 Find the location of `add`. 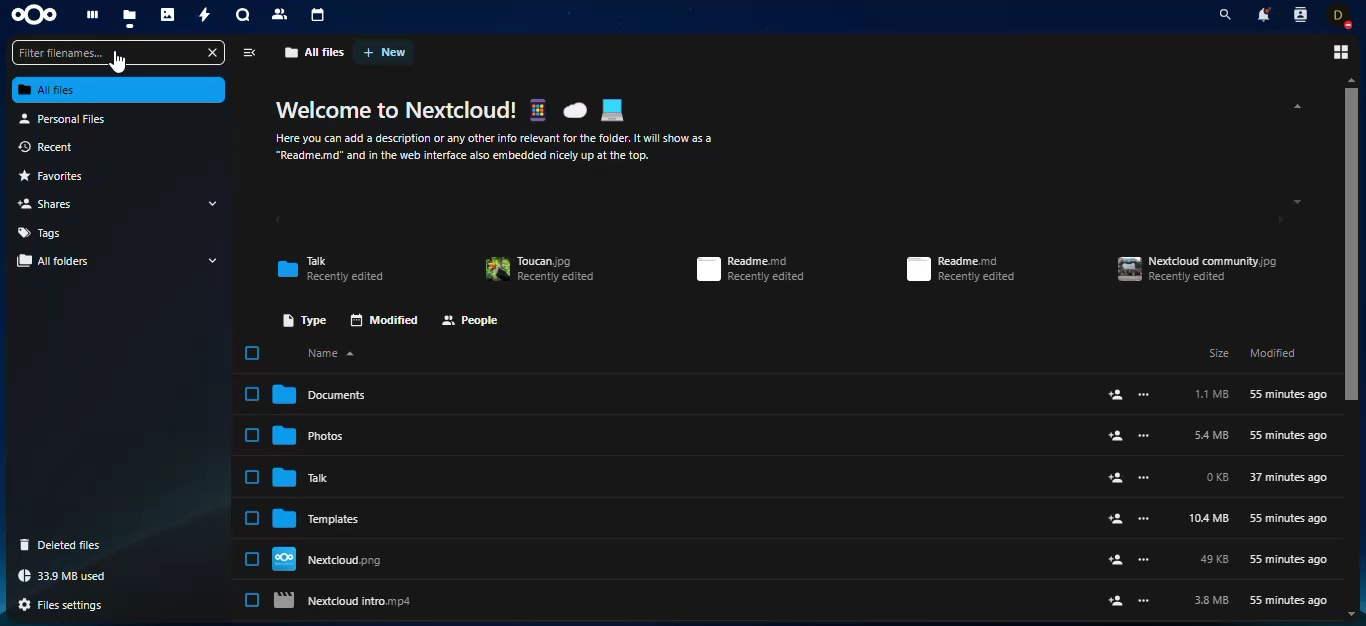

add is located at coordinates (1116, 560).